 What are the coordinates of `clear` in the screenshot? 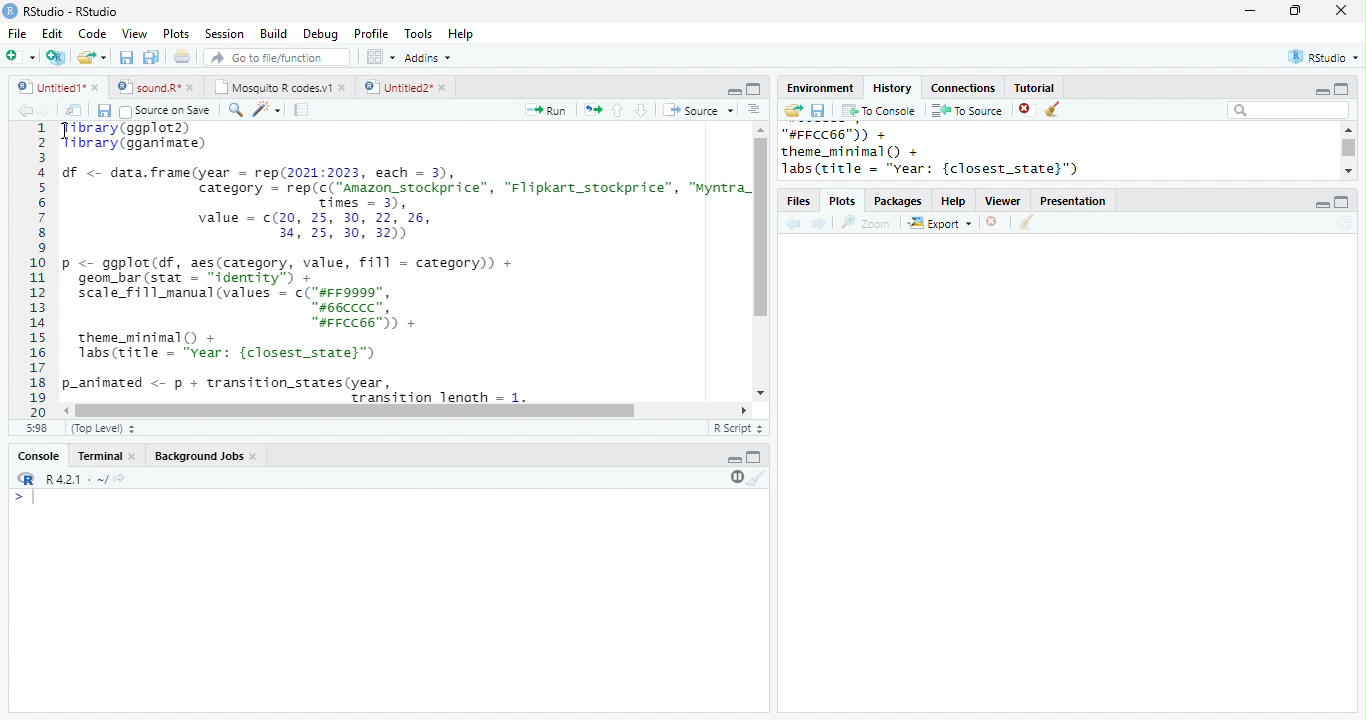 It's located at (756, 478).